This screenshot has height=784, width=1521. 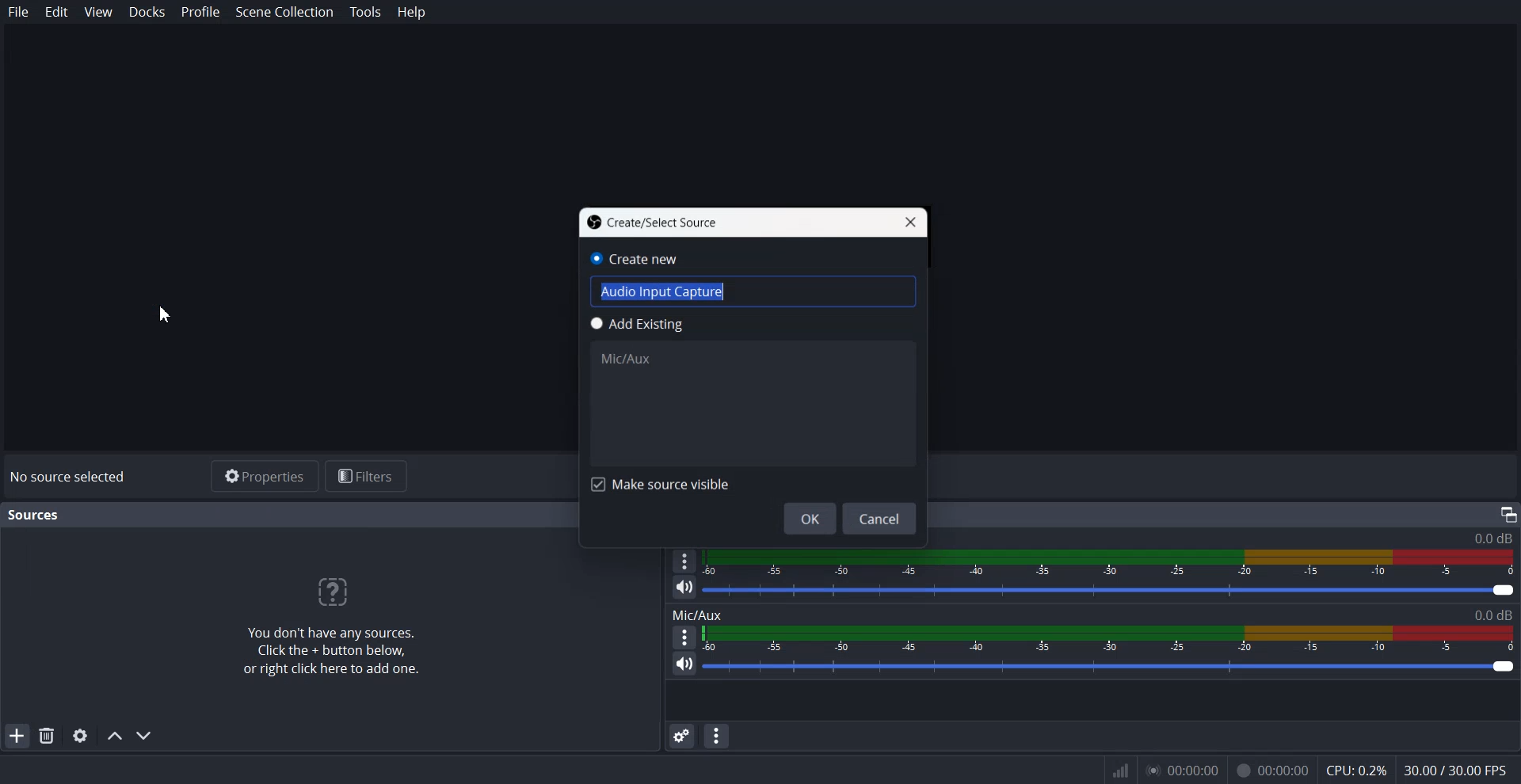 I want to click on 30.00/300, so click(x=1461, y=771).